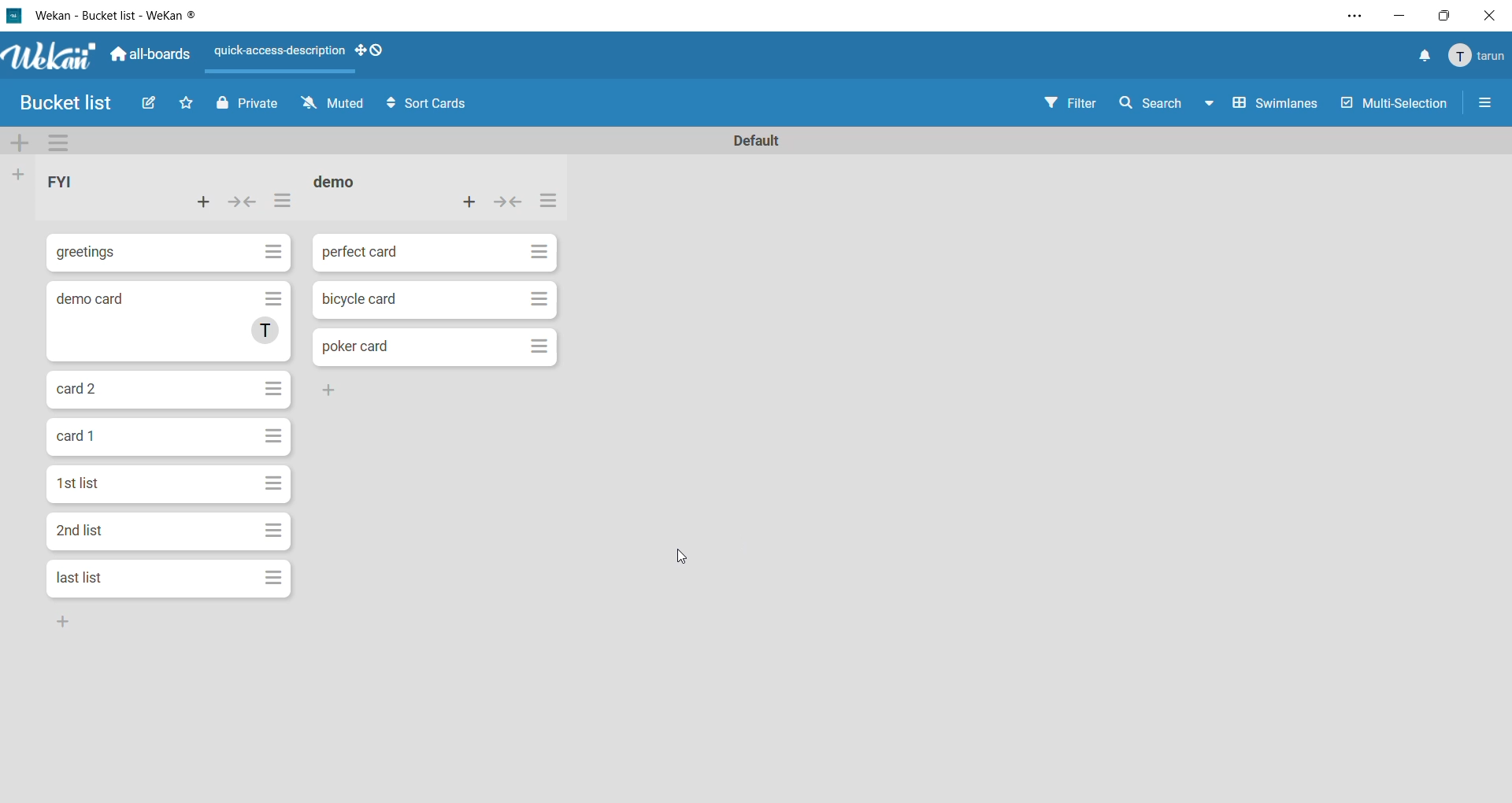 Image resolution: width=1512 pixels, height=803 pixels. I want to click on bicycle card, so click(434, 301).